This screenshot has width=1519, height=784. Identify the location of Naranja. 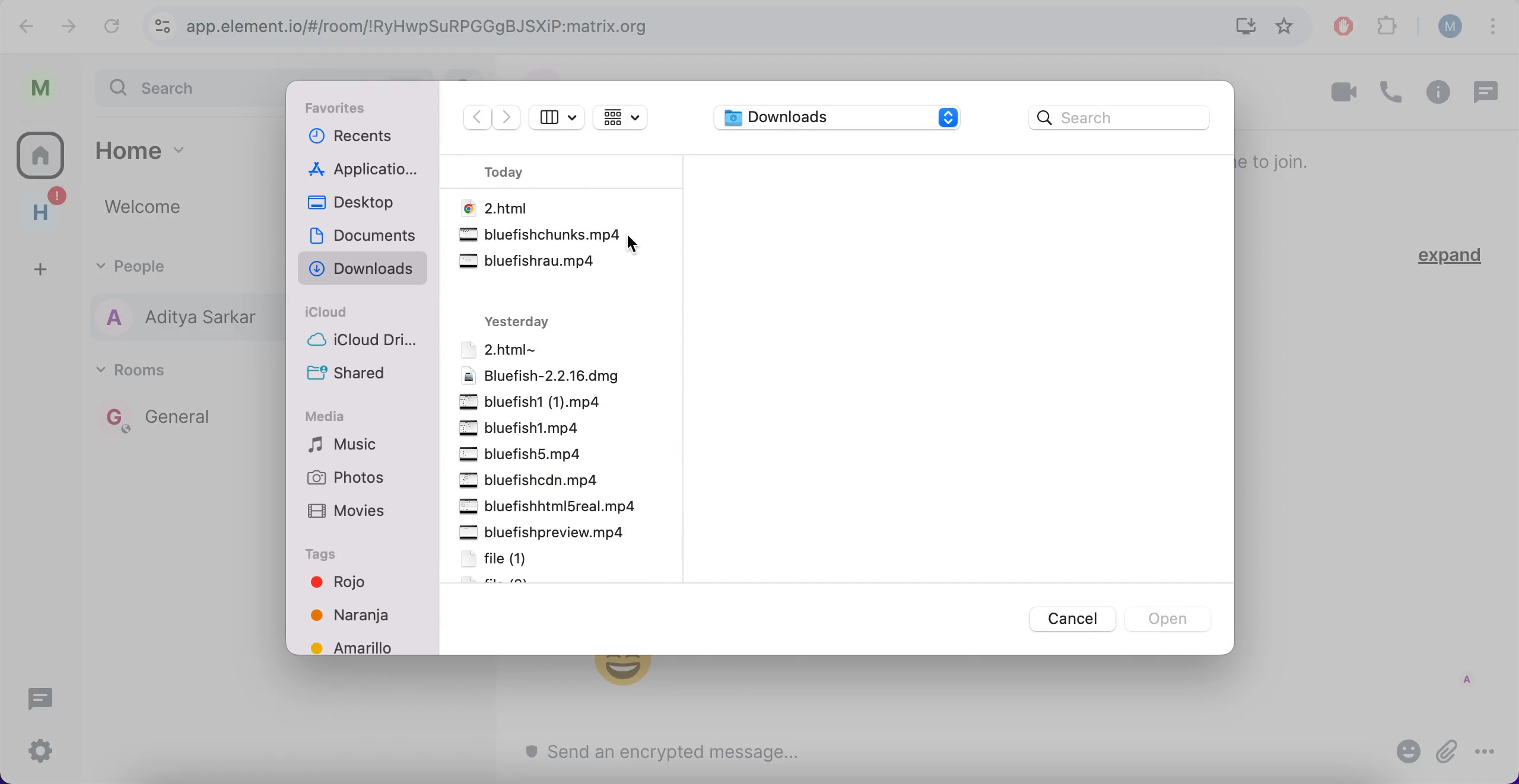
(363, 617).